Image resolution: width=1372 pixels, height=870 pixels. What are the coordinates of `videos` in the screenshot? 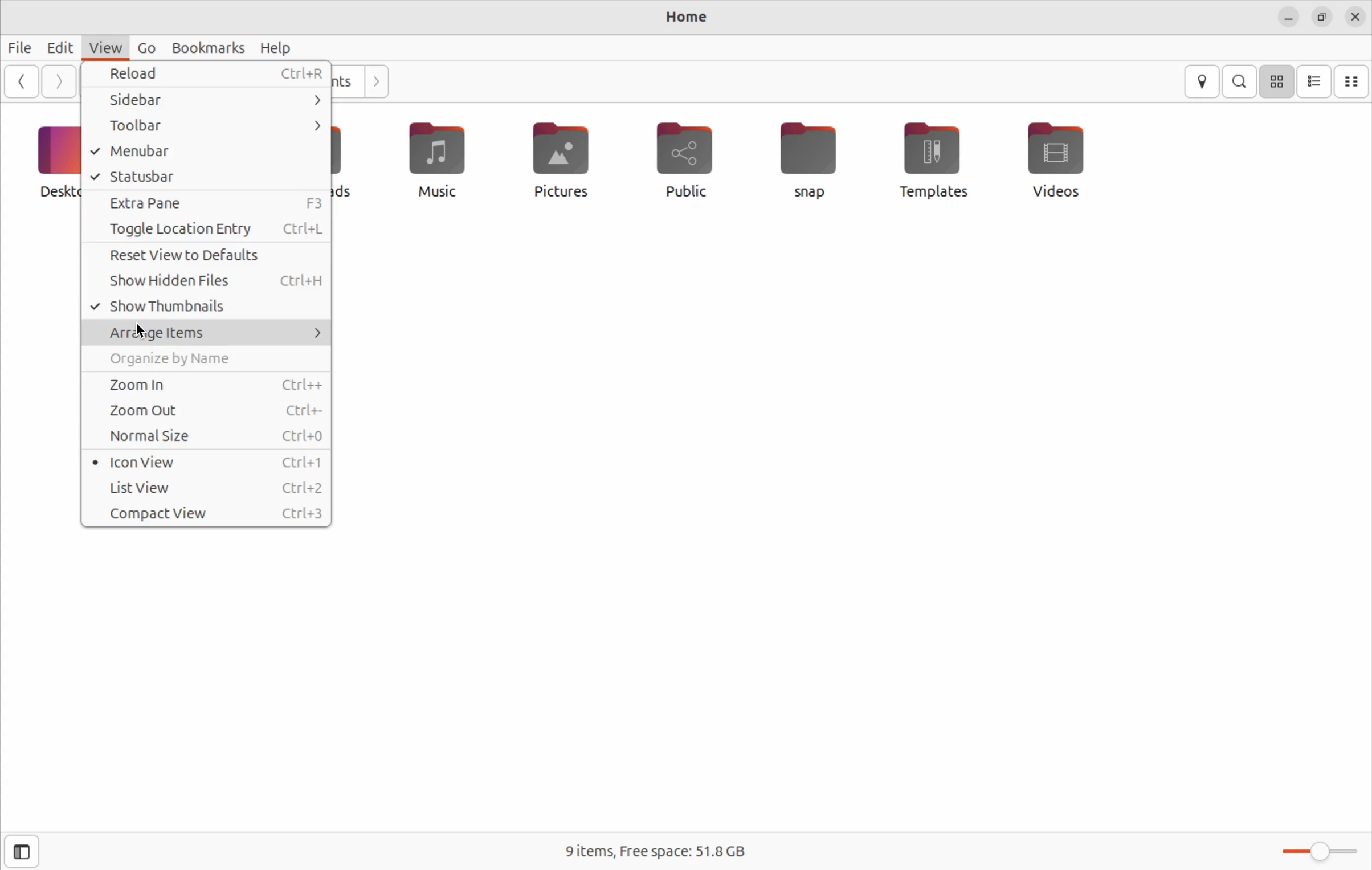 It's located at (1059, 163).